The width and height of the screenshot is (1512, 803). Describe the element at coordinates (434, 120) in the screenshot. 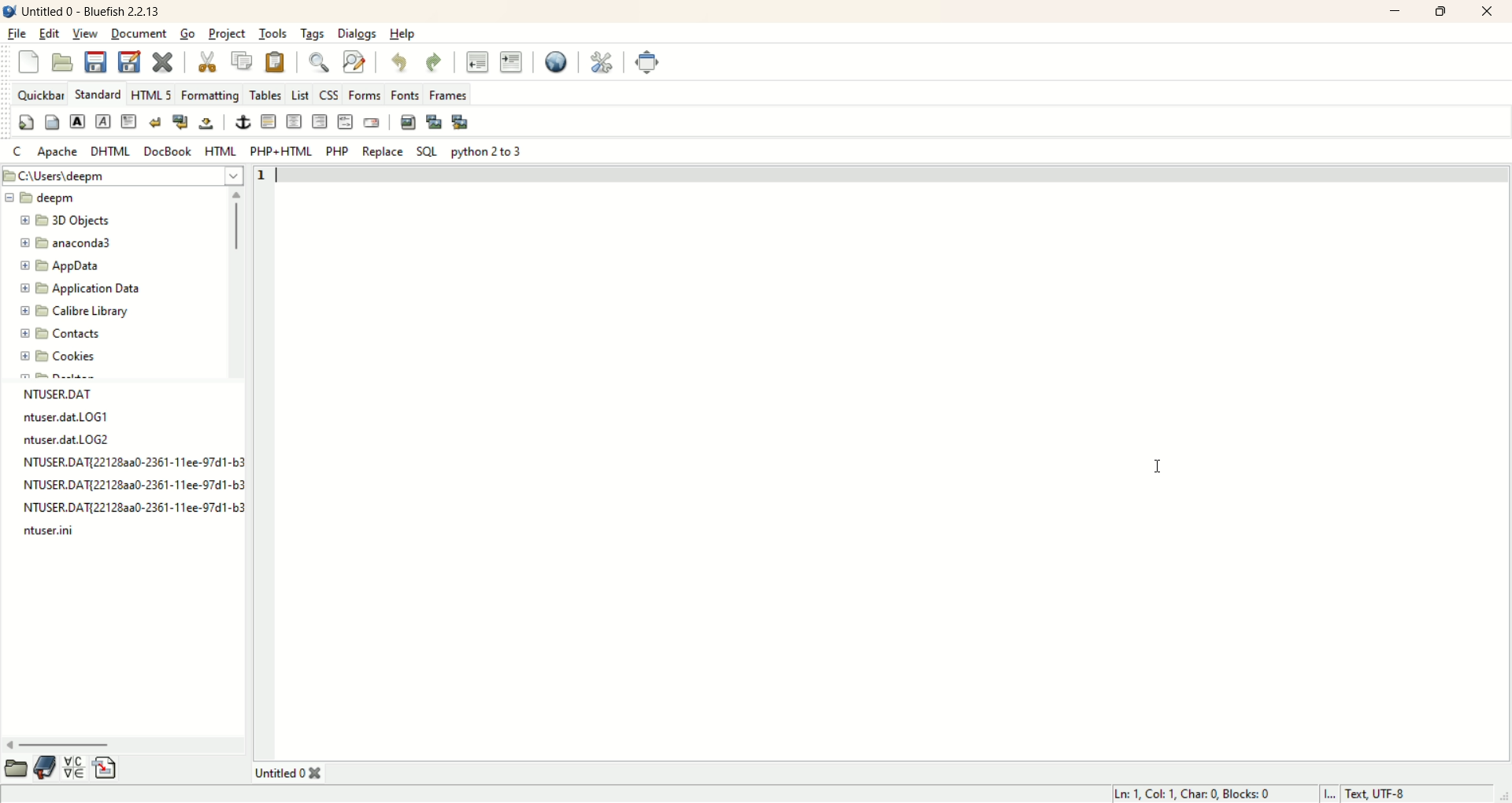

I see `insert thumbnail` at that location.